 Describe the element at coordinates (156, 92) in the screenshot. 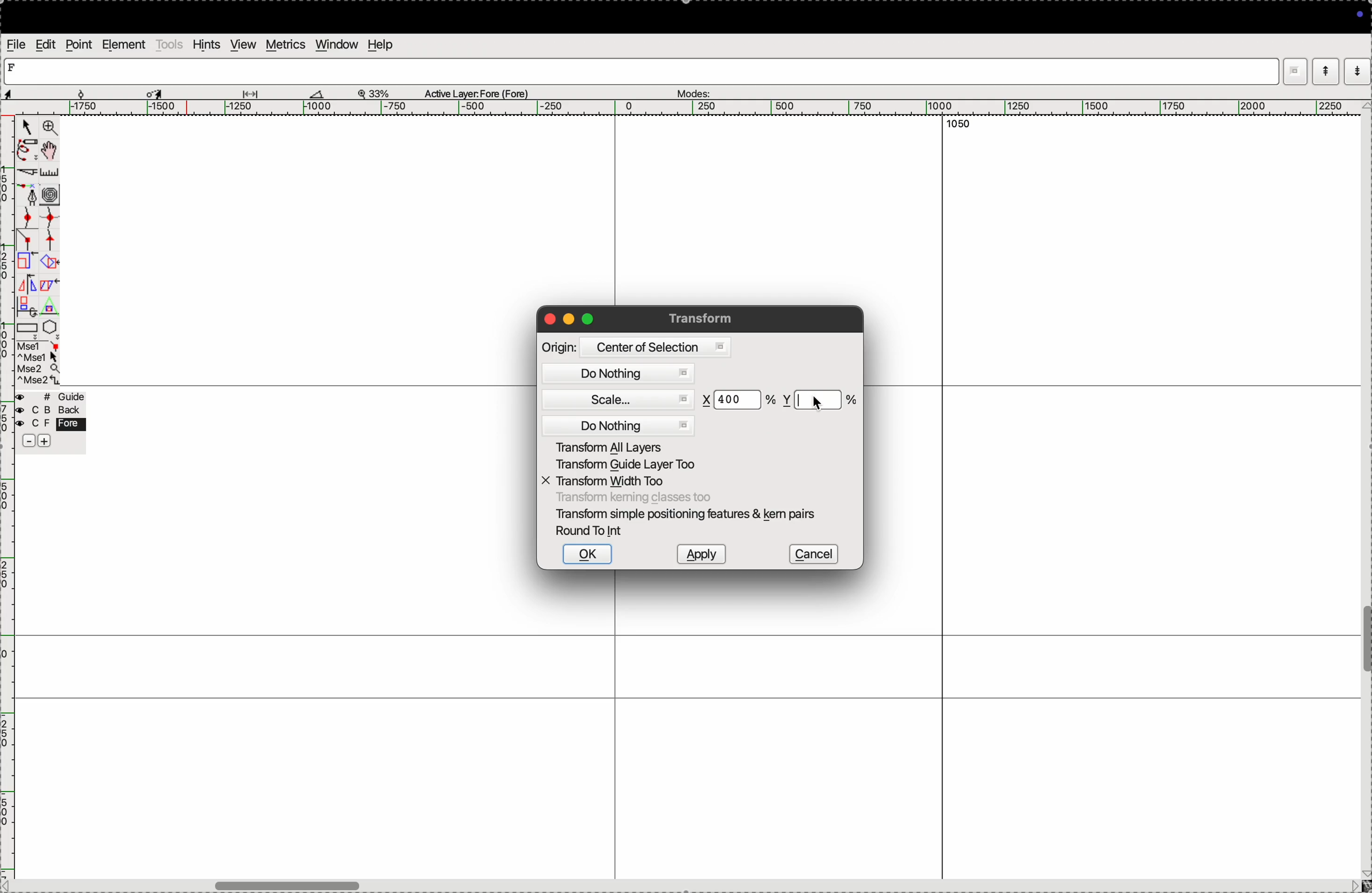

I see `cursor selected` at that location.